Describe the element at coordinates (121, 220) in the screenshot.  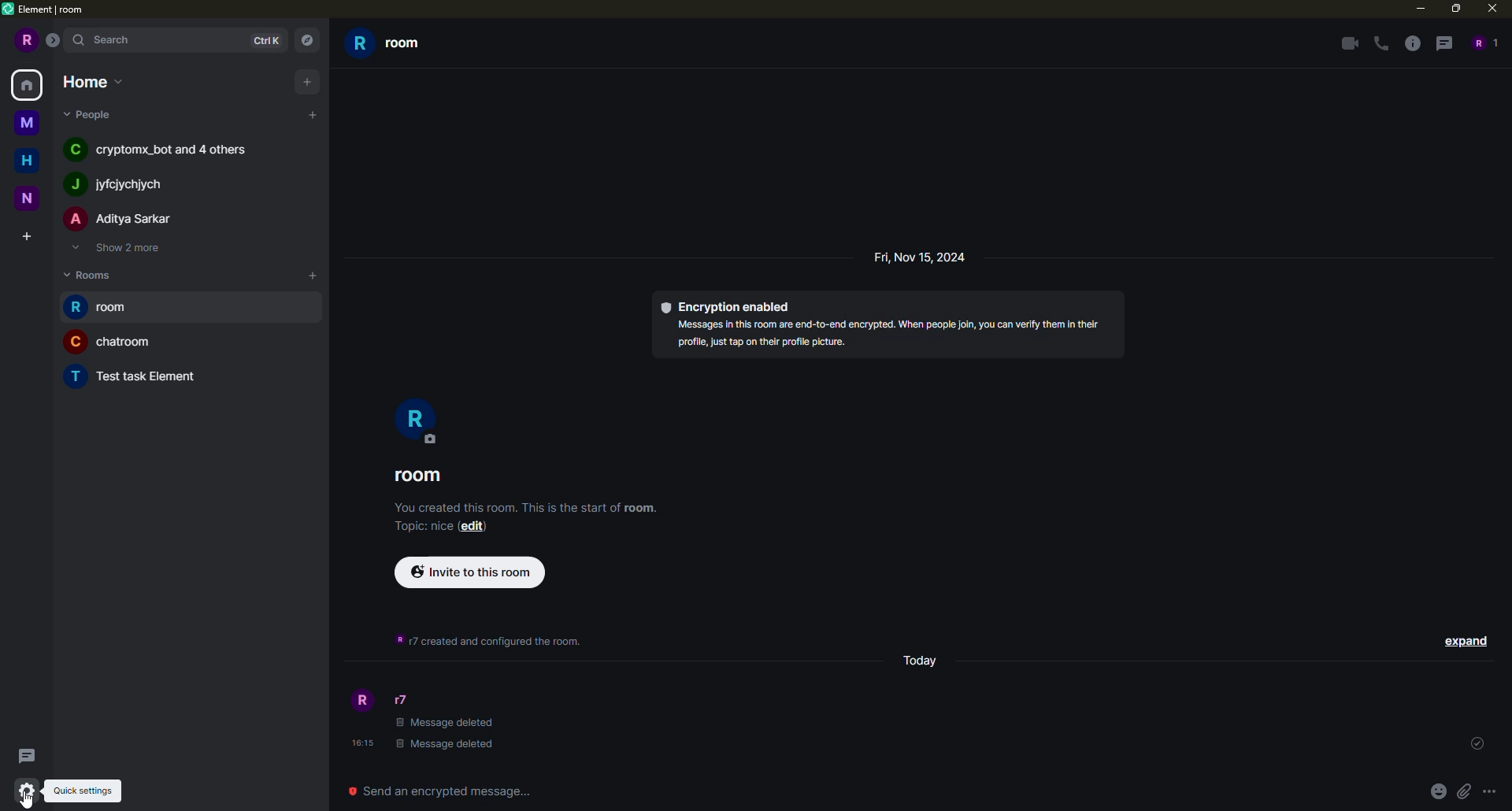
I see `people` at that location.